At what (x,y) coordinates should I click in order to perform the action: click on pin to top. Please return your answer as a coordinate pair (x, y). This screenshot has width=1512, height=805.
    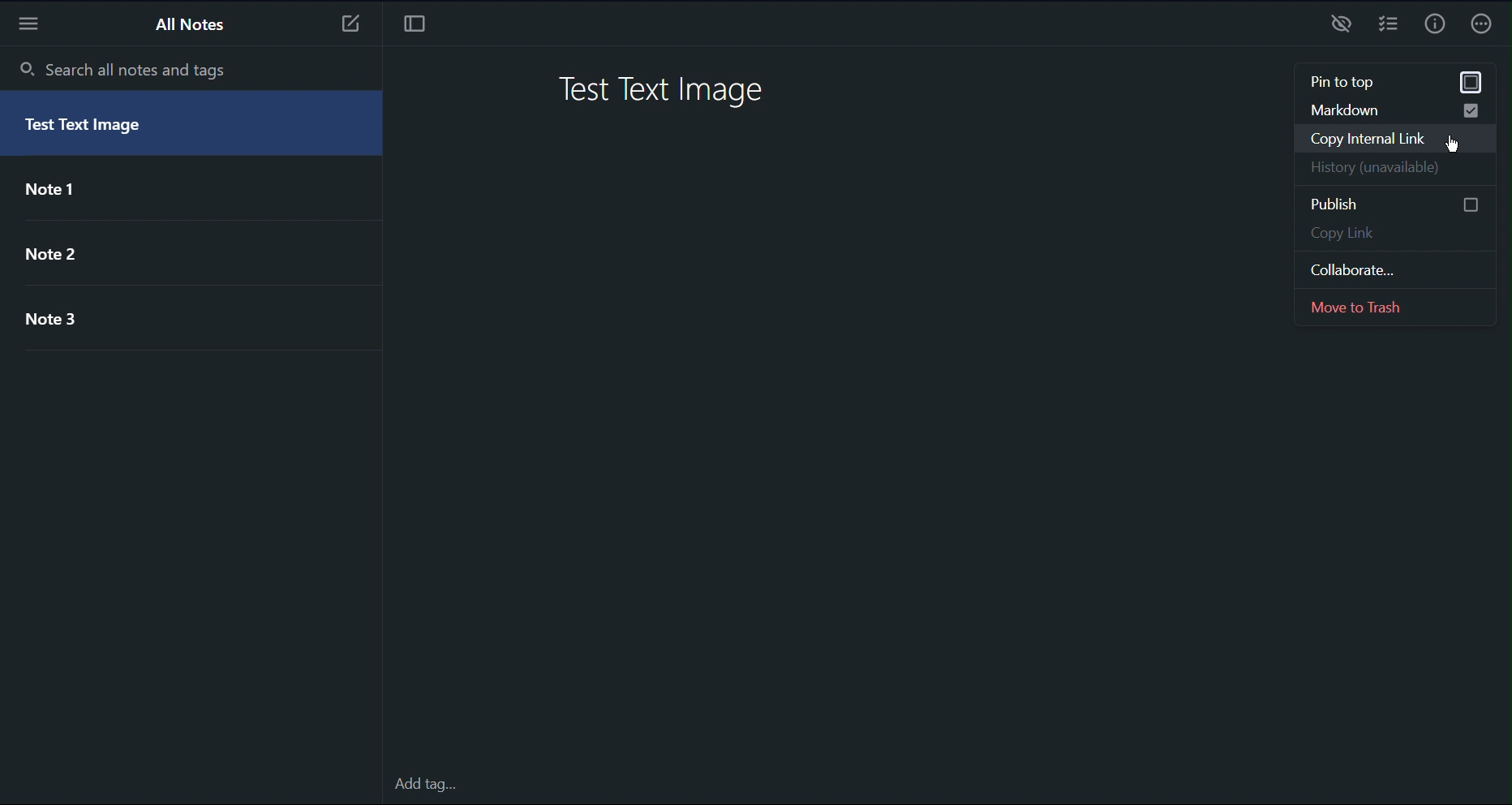
    Looking at the image, I should click on (1393, 81).